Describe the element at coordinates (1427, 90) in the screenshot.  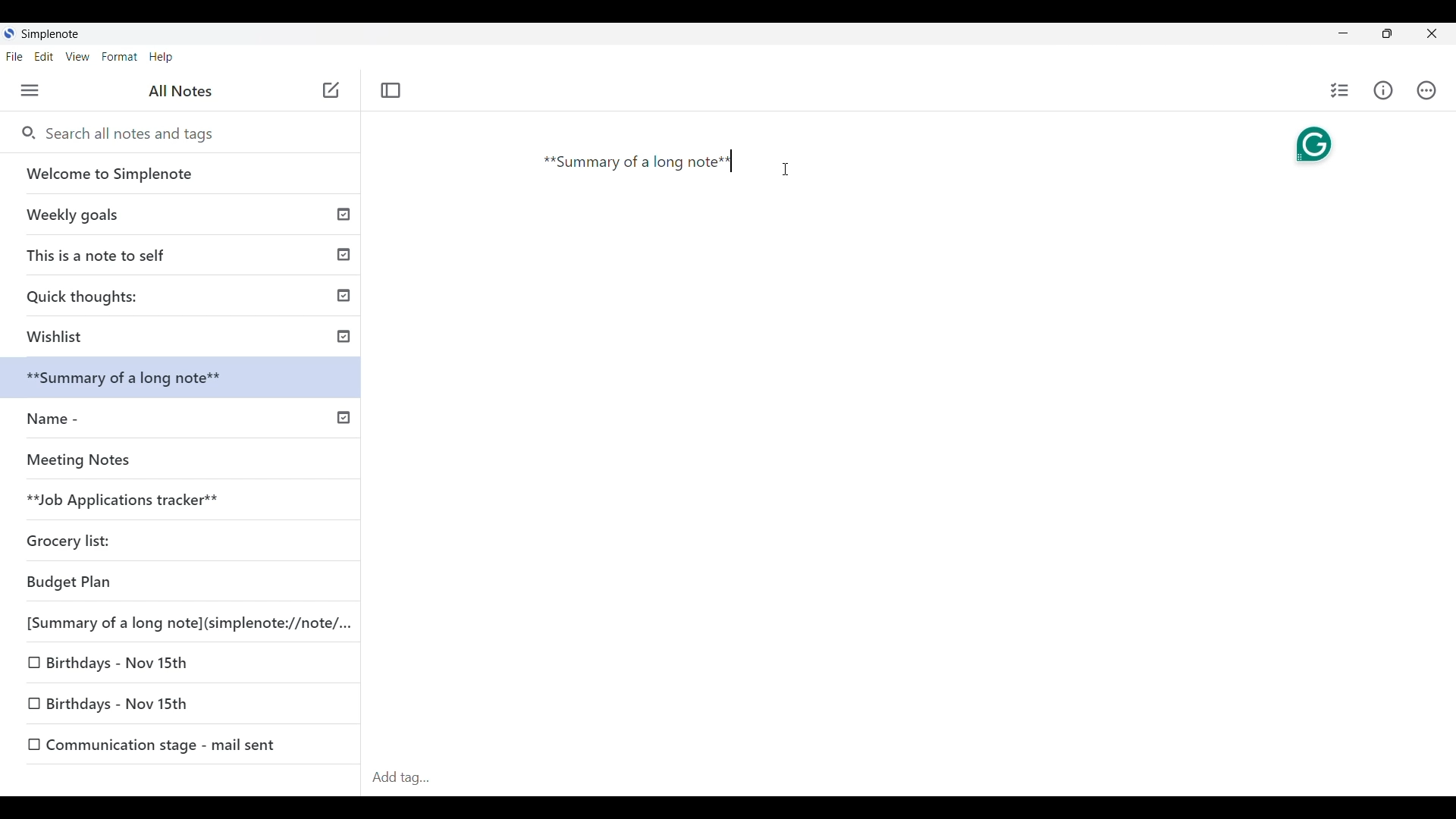
I see `Actions` at that location.